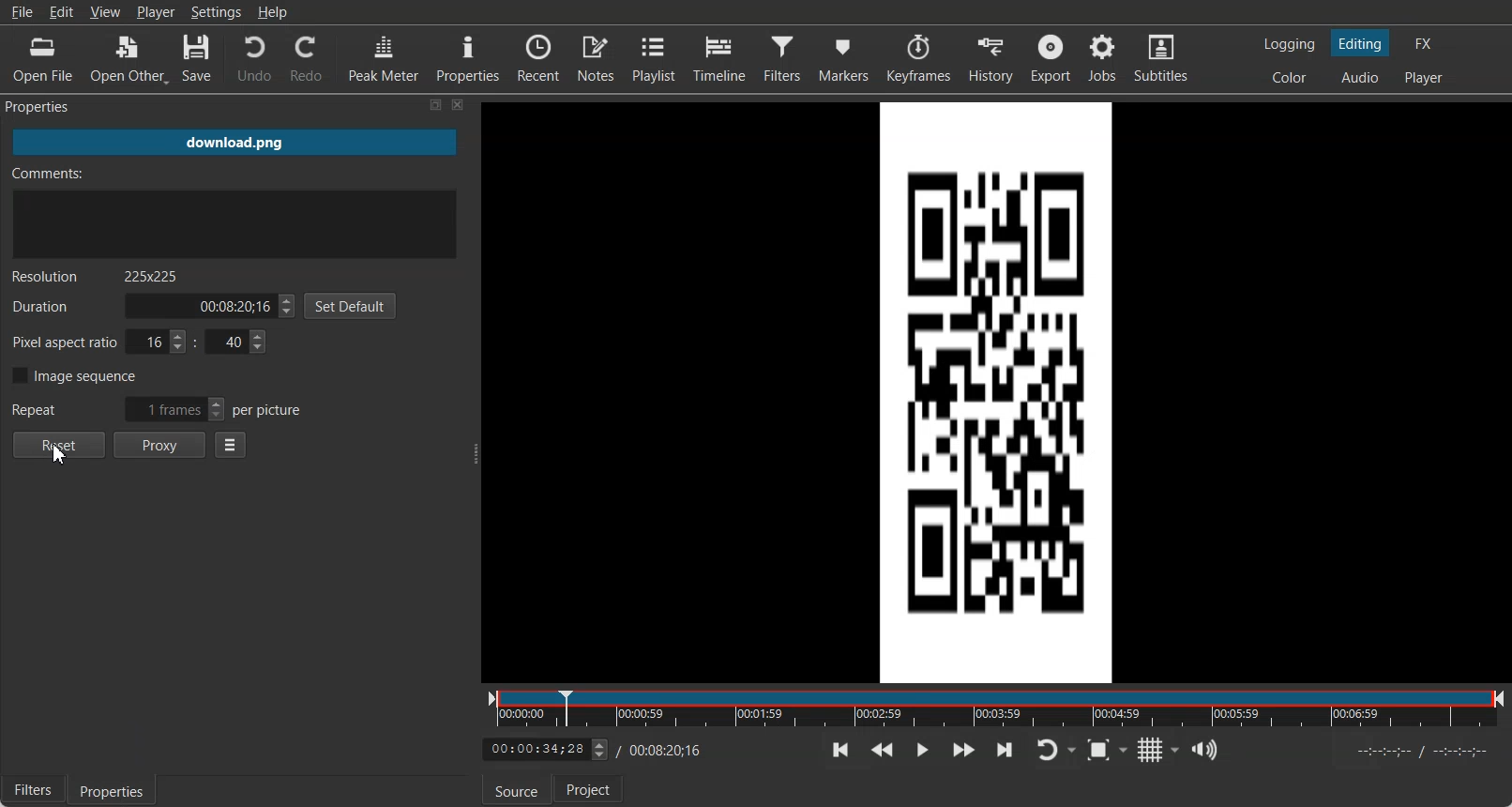  Describe the element at coordinates (1359, 43) in the screenshot. I see `Switch to Editing layout` at that location.